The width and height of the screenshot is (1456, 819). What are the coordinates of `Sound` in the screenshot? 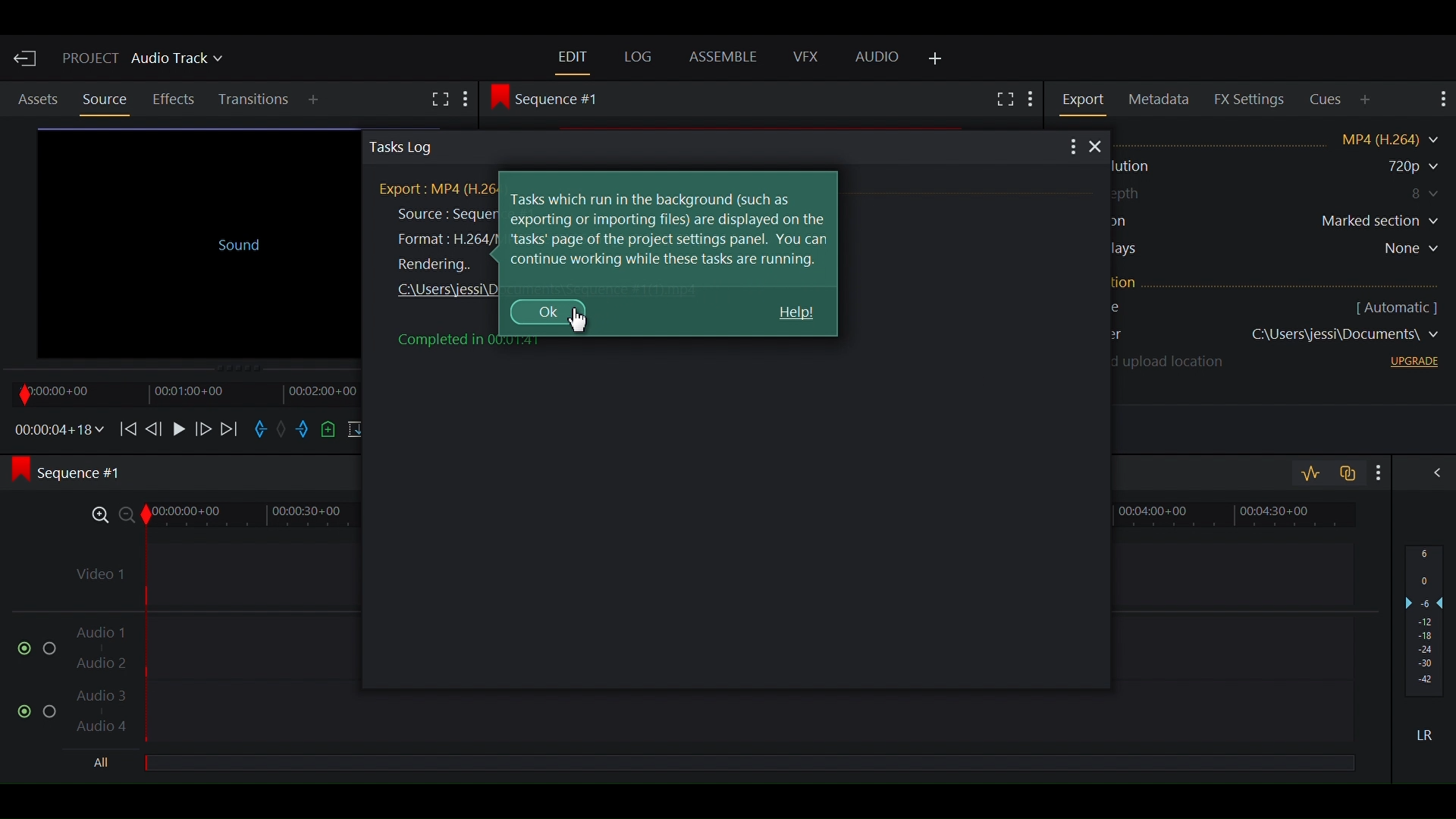 It's located at (196, 240).